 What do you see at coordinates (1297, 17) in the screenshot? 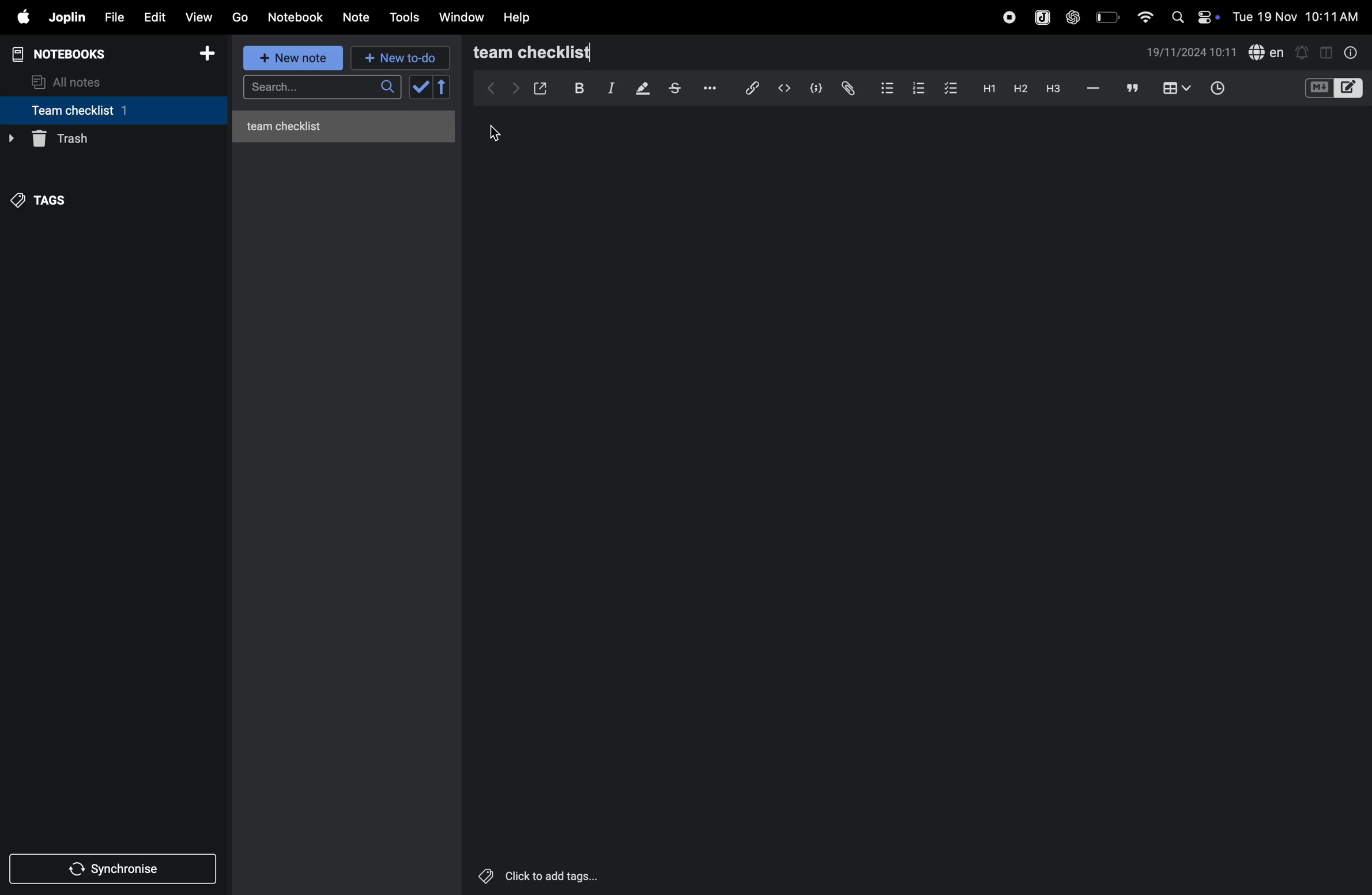
I see `date and time` at bounding box center [1297, 17].